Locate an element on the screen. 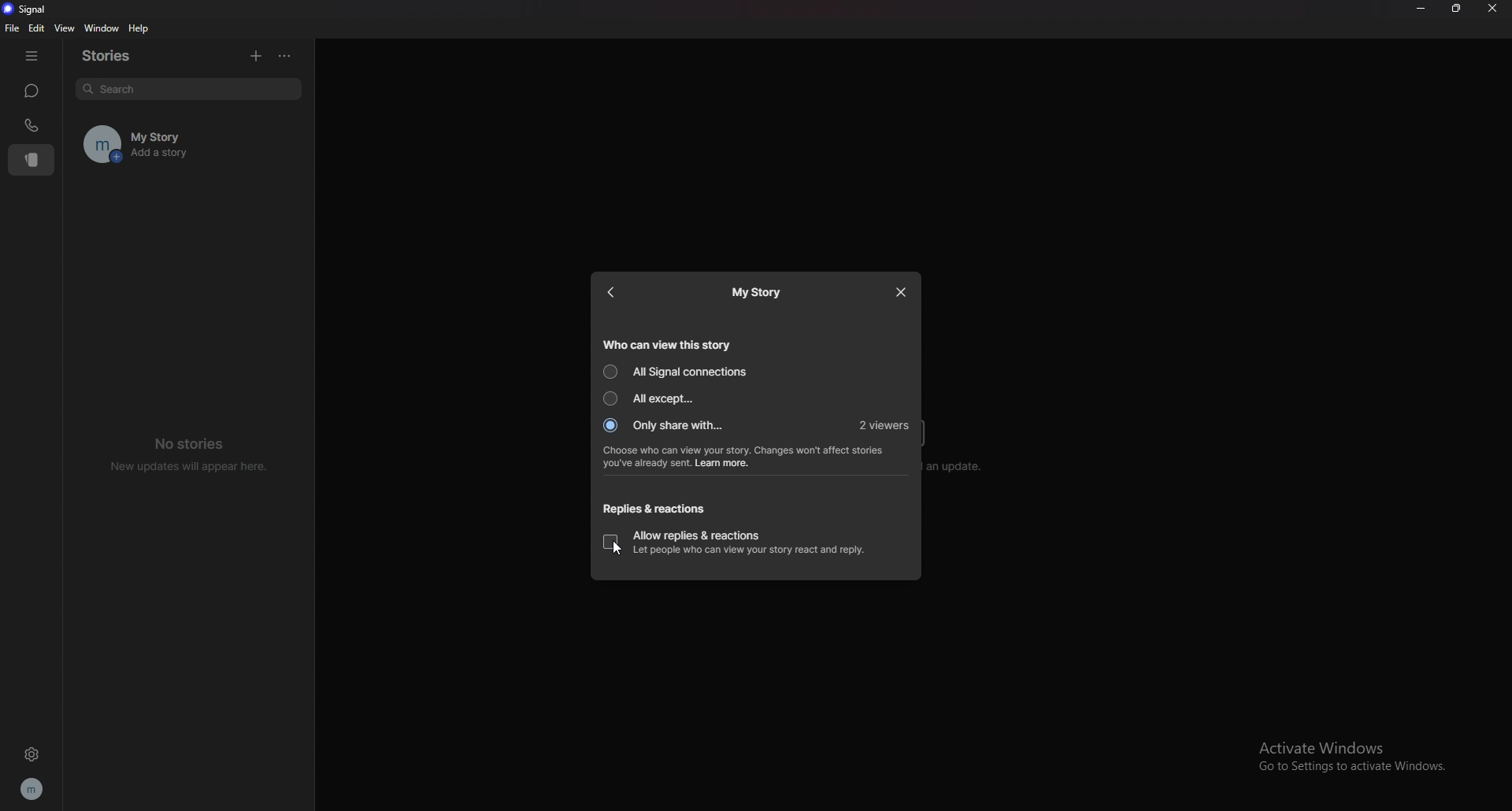  signal is located at coordinates (25, 9).